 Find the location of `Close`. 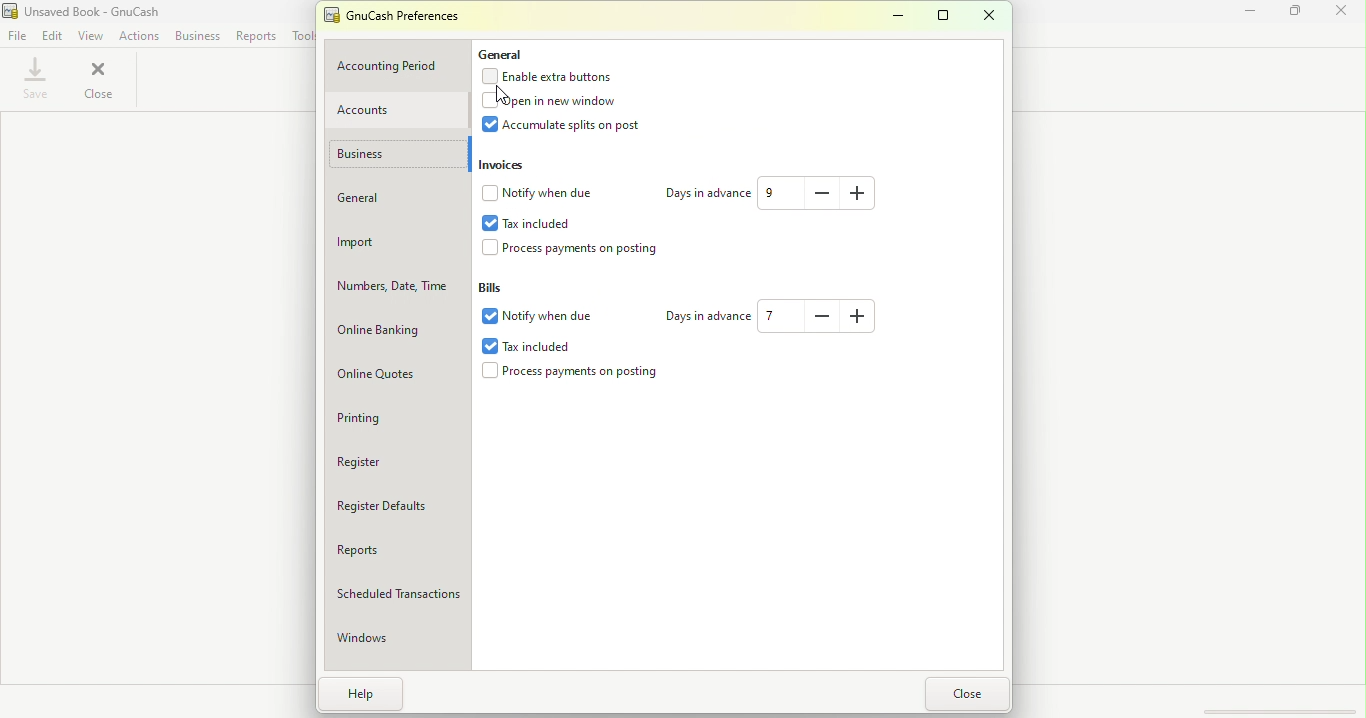

Close is located at coordinates (97, 79).